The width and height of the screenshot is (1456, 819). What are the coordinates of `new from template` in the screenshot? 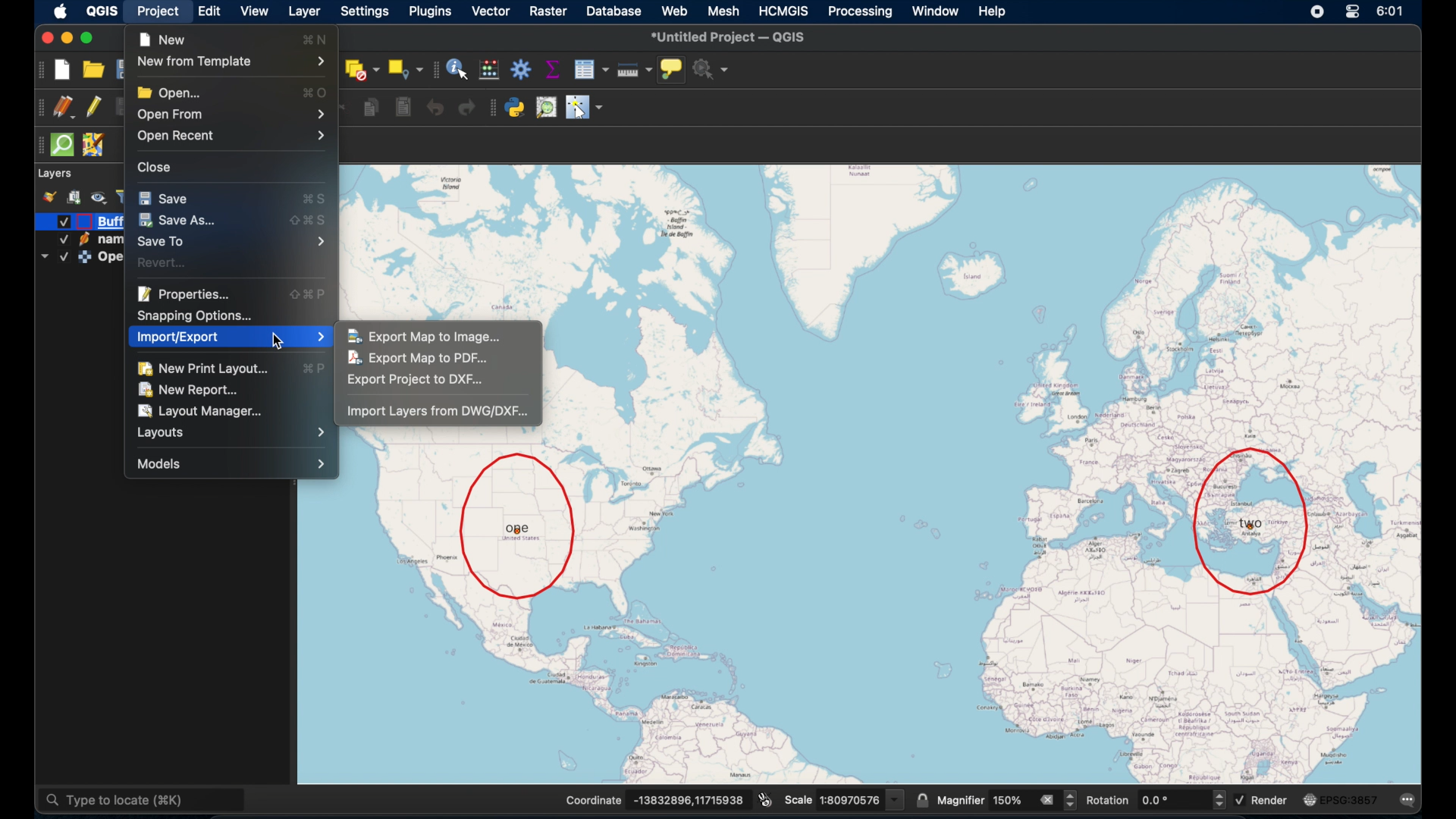 It's located at (231, 61).